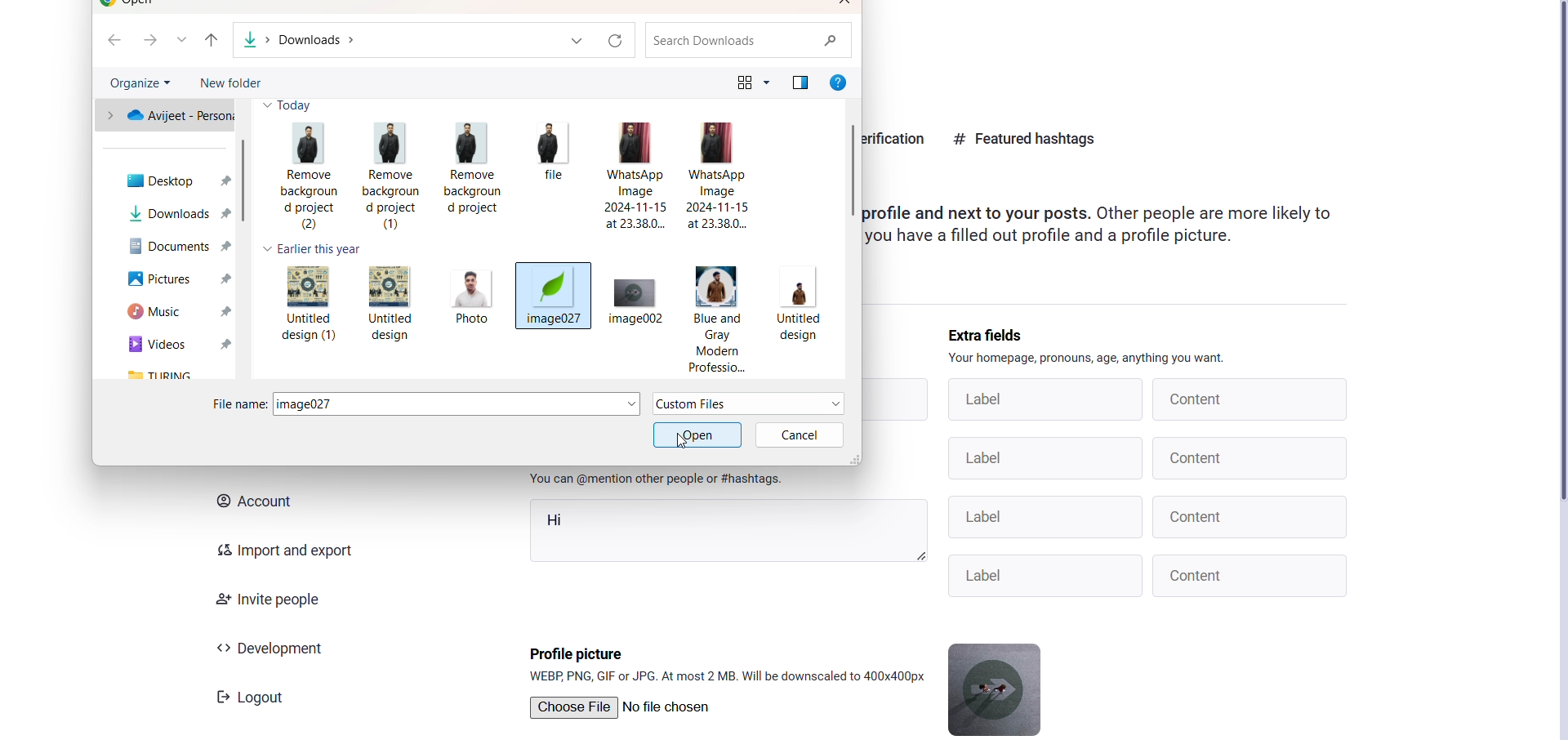 This screenshot has height=740, width=1568. What do you see at coordinates (173, 247) in the screenshot?
I see `documents` at bounding box center [173, 247].